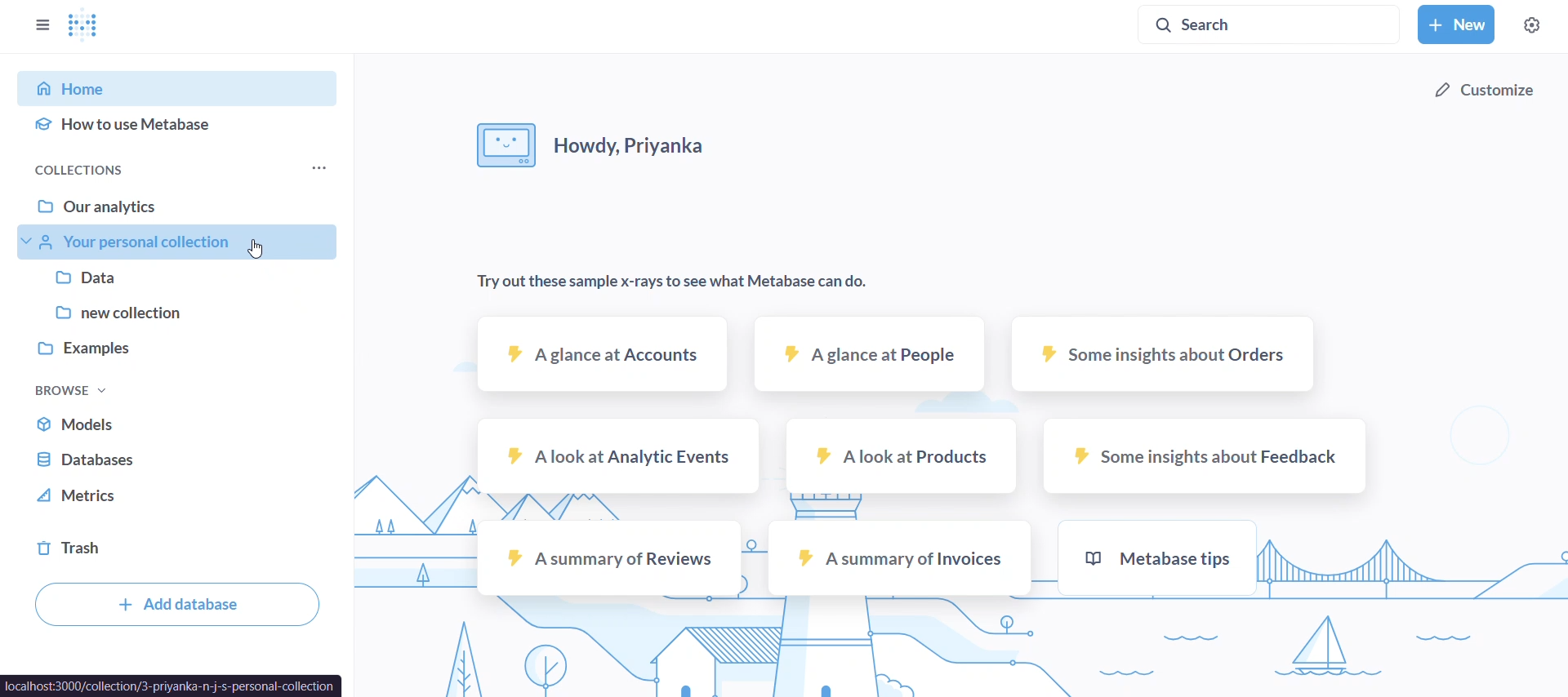  I want to click on a summary of reviews, so click(608, 557).